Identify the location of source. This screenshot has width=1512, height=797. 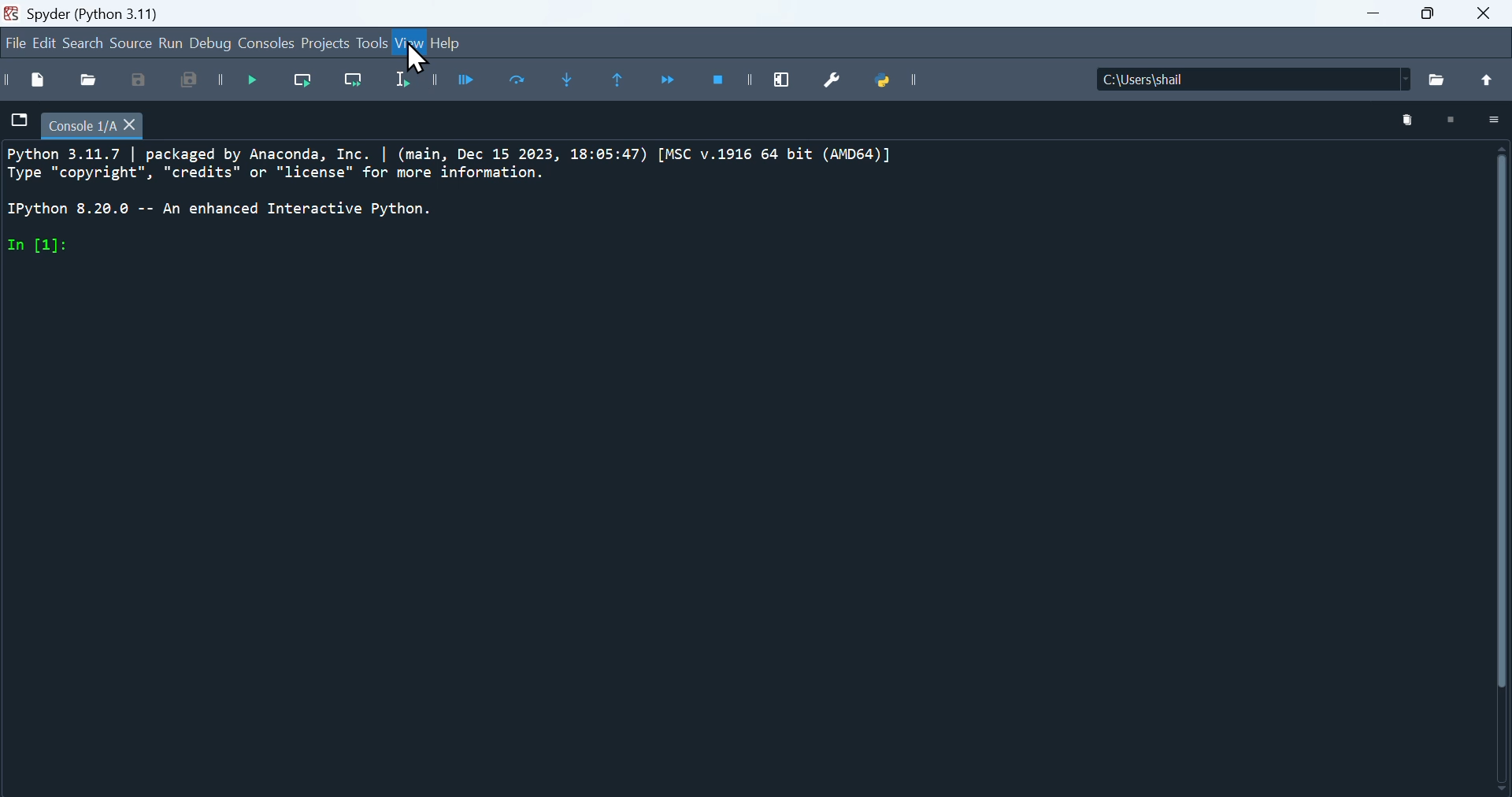
(128, 45).